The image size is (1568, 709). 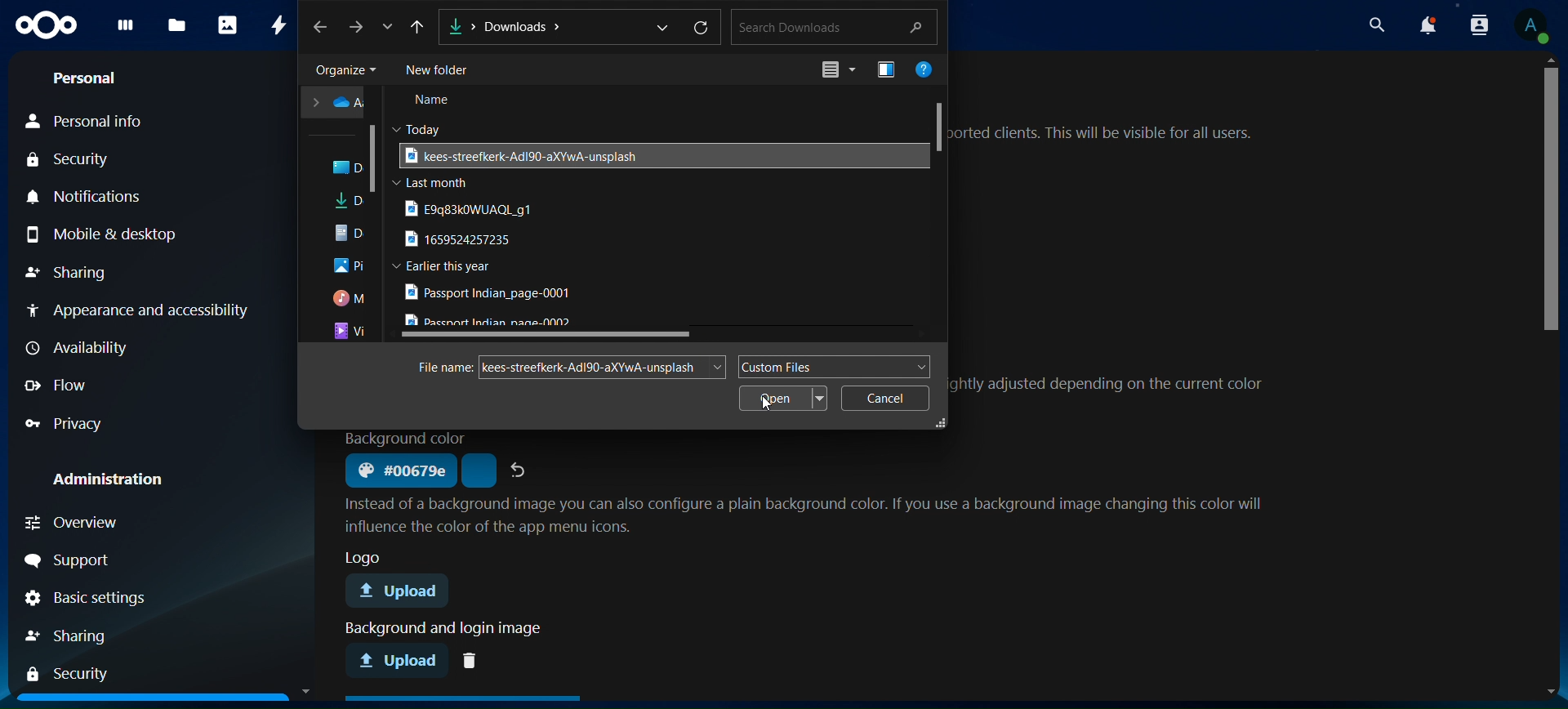 What do you see at coordinates (491, 293) in the screenshot?
I see `file` at bounding box center [491, 293].